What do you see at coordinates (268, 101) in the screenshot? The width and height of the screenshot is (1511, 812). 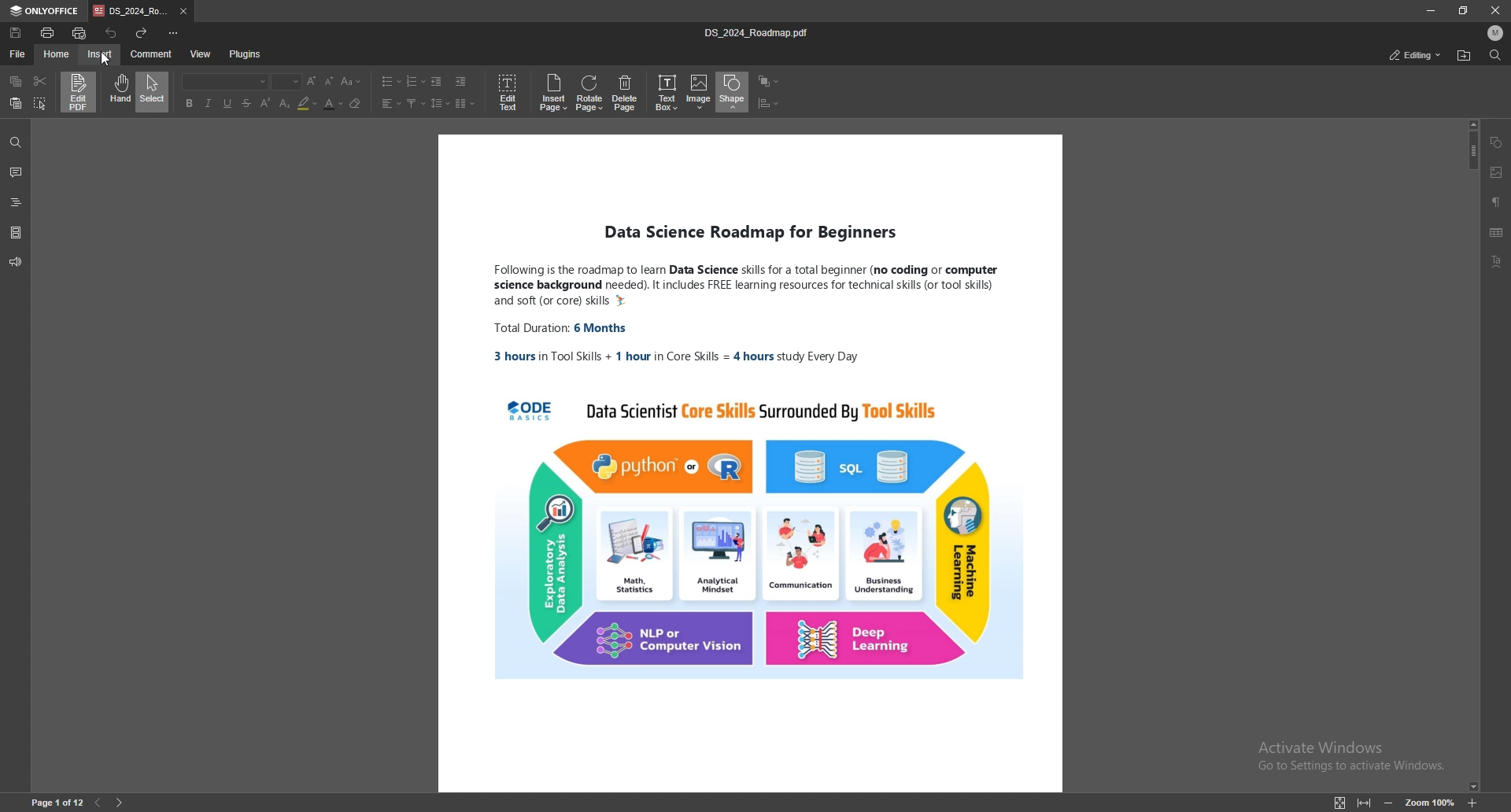 I see `superscript` at bounding box center [268, 101].